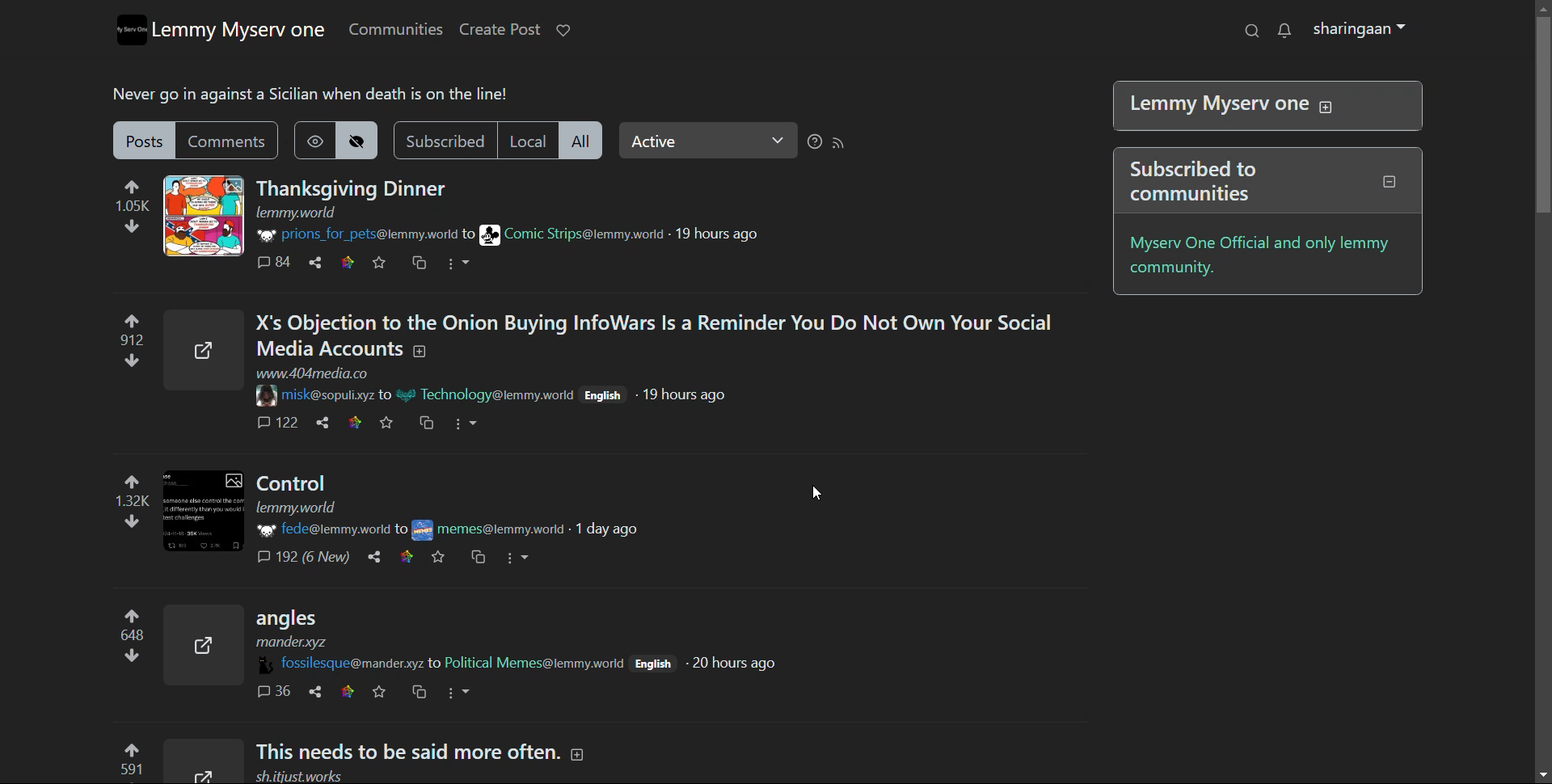 The image size is (1552, 784). What do you see at coordinates (314, 140) in the screenshot?
I see `show hidden posts` at bounding box center [314, 140].